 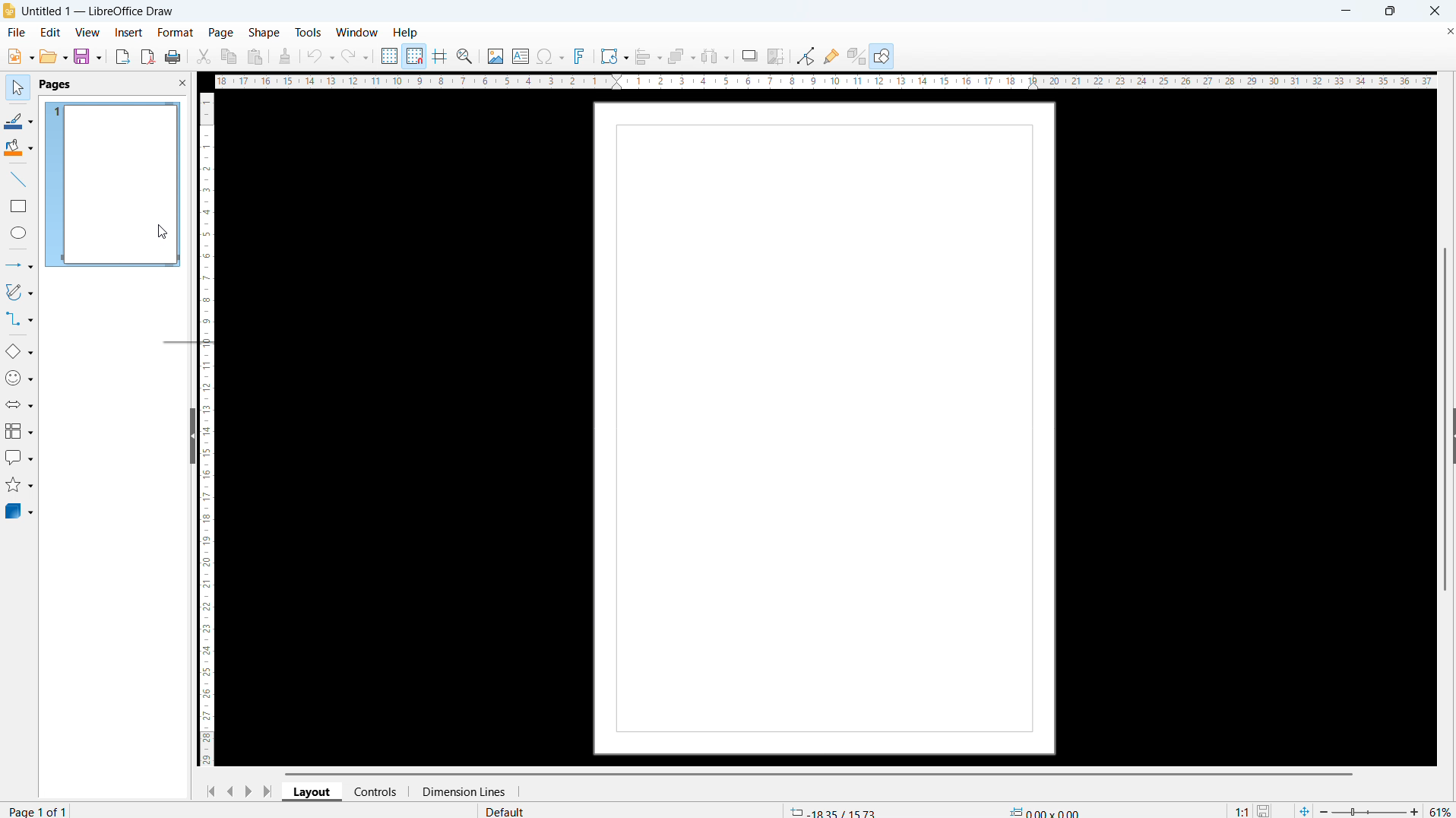 I want to click on export, so click(x=123, y=57).